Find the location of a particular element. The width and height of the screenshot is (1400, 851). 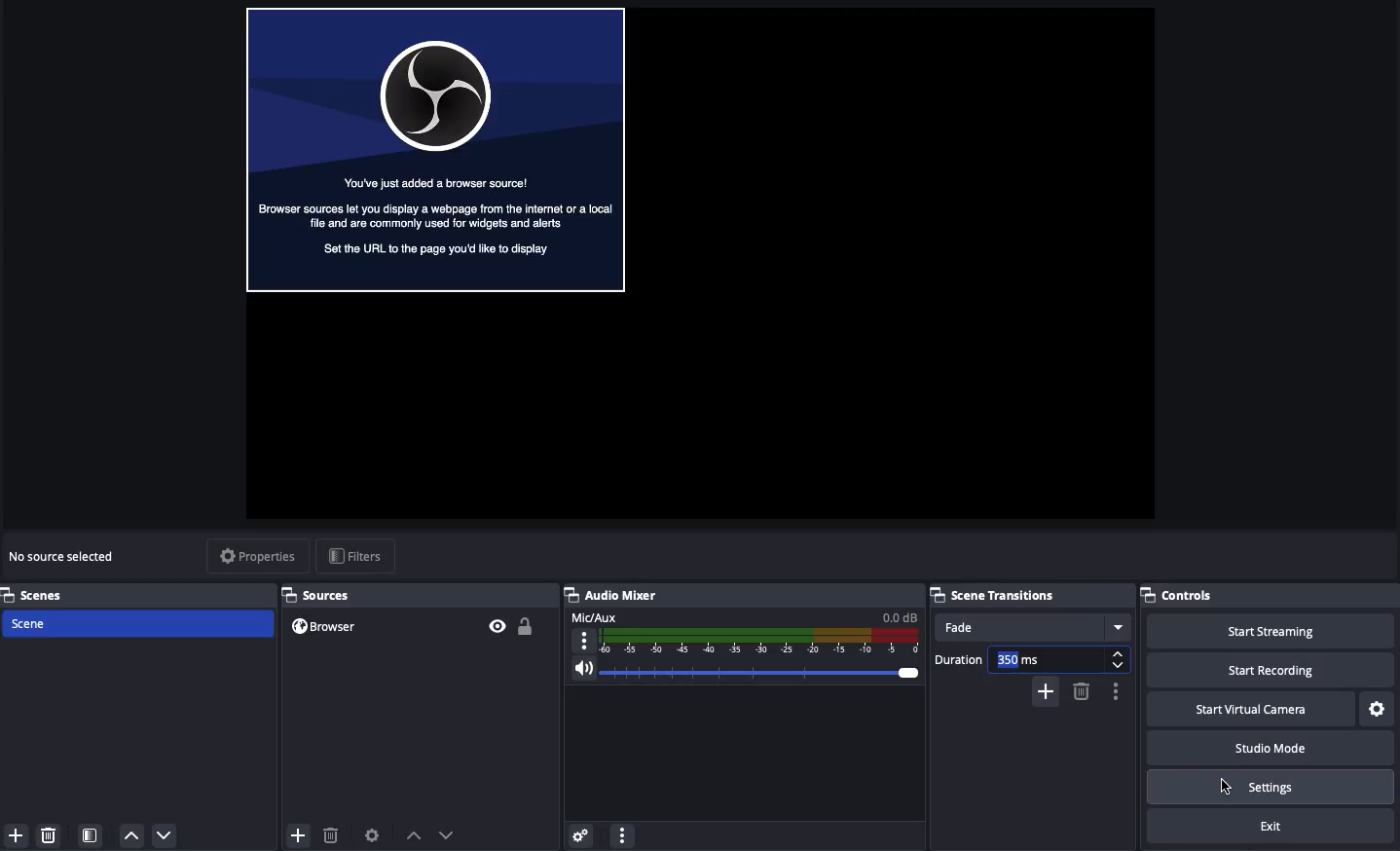

Delete is located at coordinates (330, 834).